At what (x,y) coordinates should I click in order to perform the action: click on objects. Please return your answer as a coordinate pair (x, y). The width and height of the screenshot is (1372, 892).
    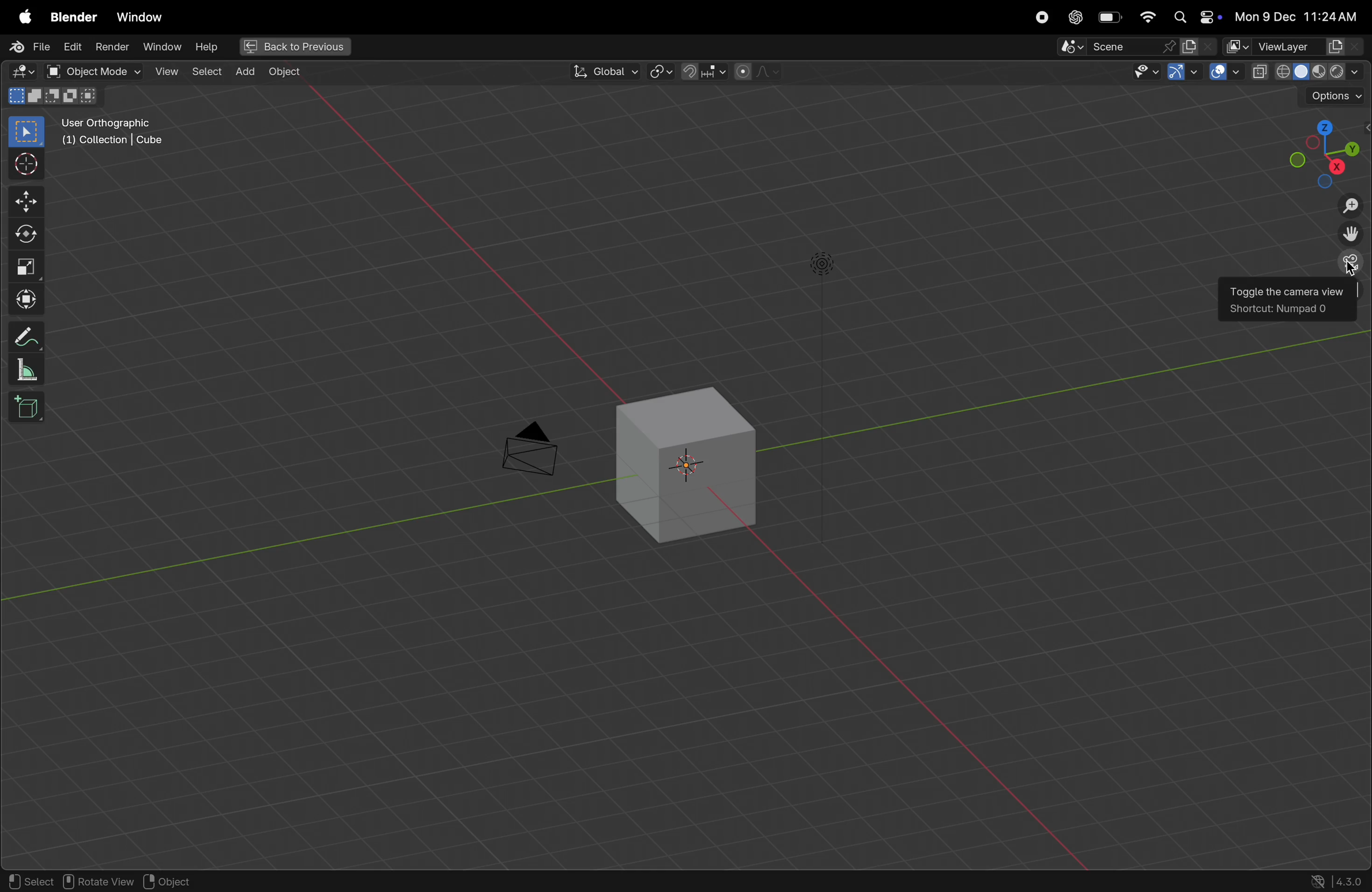
    Looking at the image, I should click on (292, 73).